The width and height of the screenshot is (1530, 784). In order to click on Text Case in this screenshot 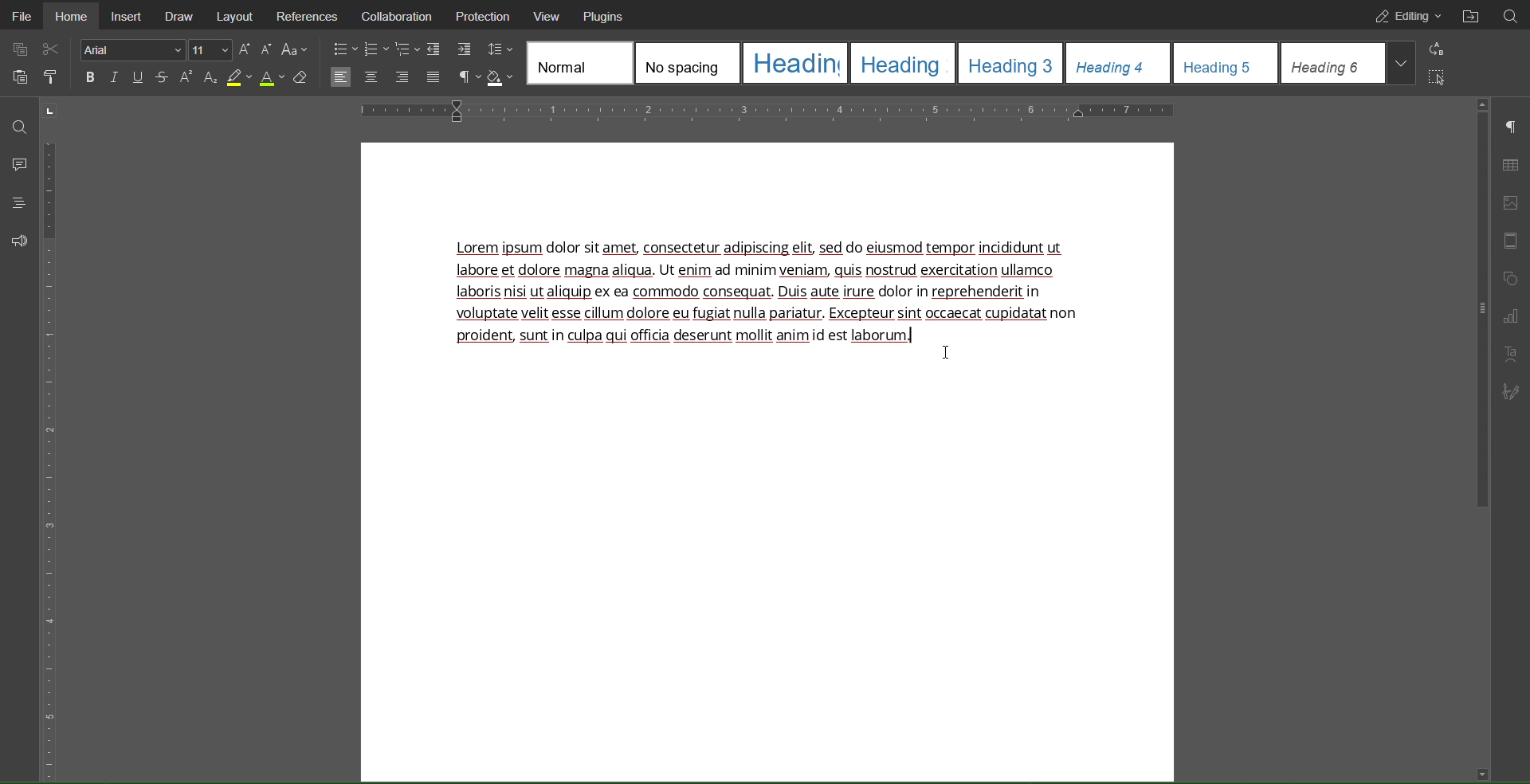, I will do `click(293, 49)`.